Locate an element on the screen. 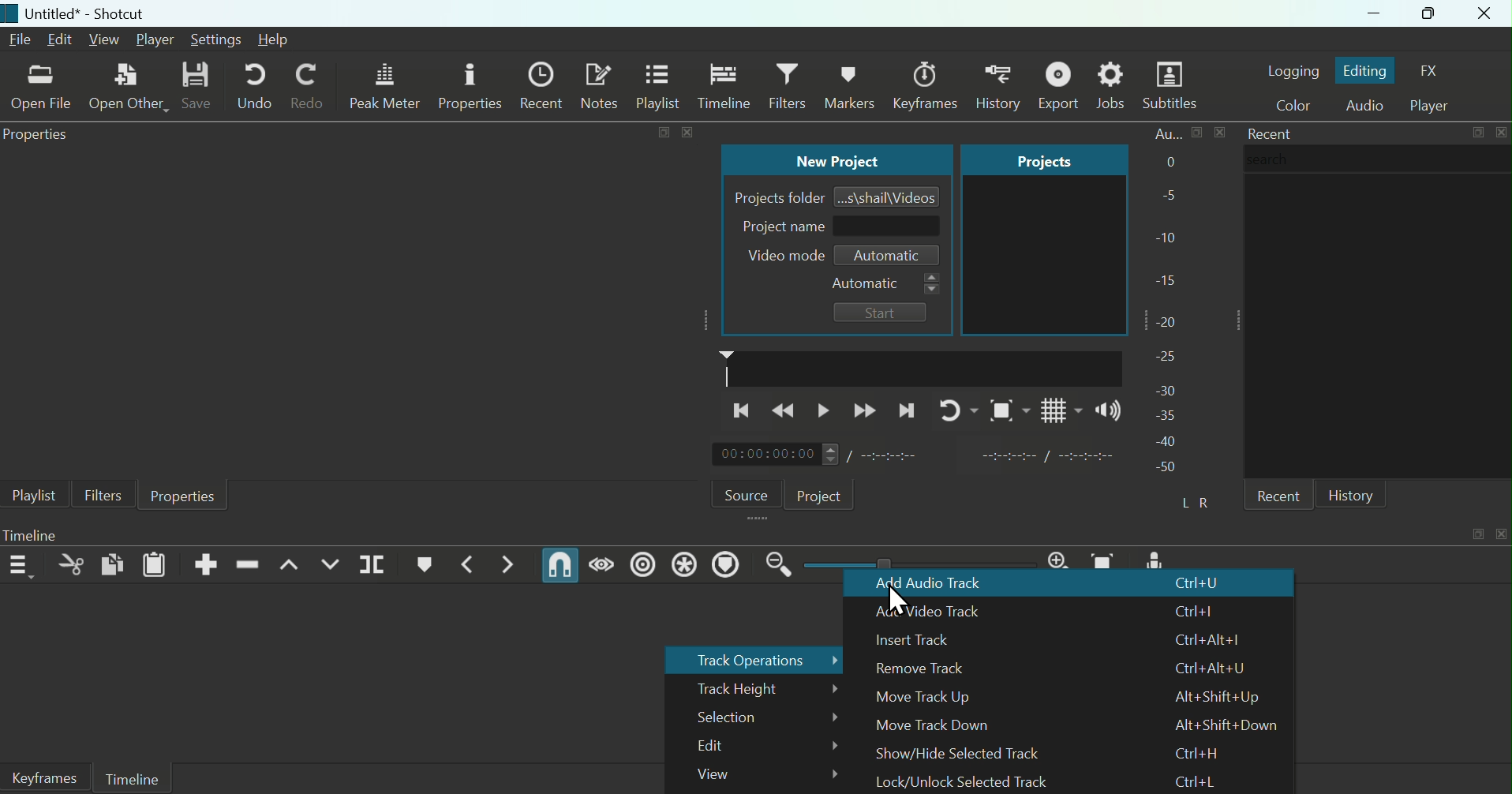 This screenshot has height=794, width=1512. expand is located at coordinates (1476, 534).